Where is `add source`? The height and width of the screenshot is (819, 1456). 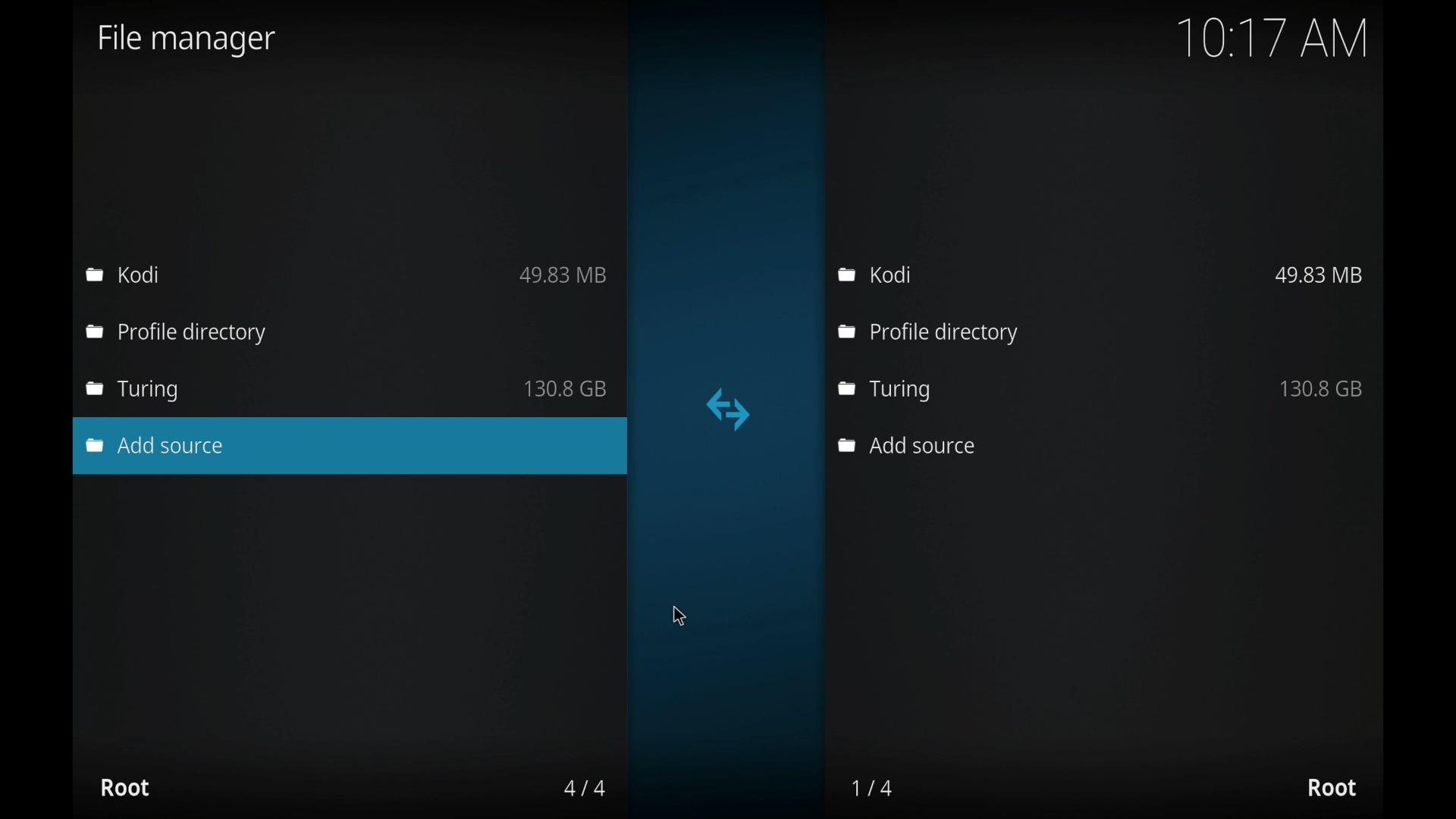
add source is located at coordinates (156, 445).